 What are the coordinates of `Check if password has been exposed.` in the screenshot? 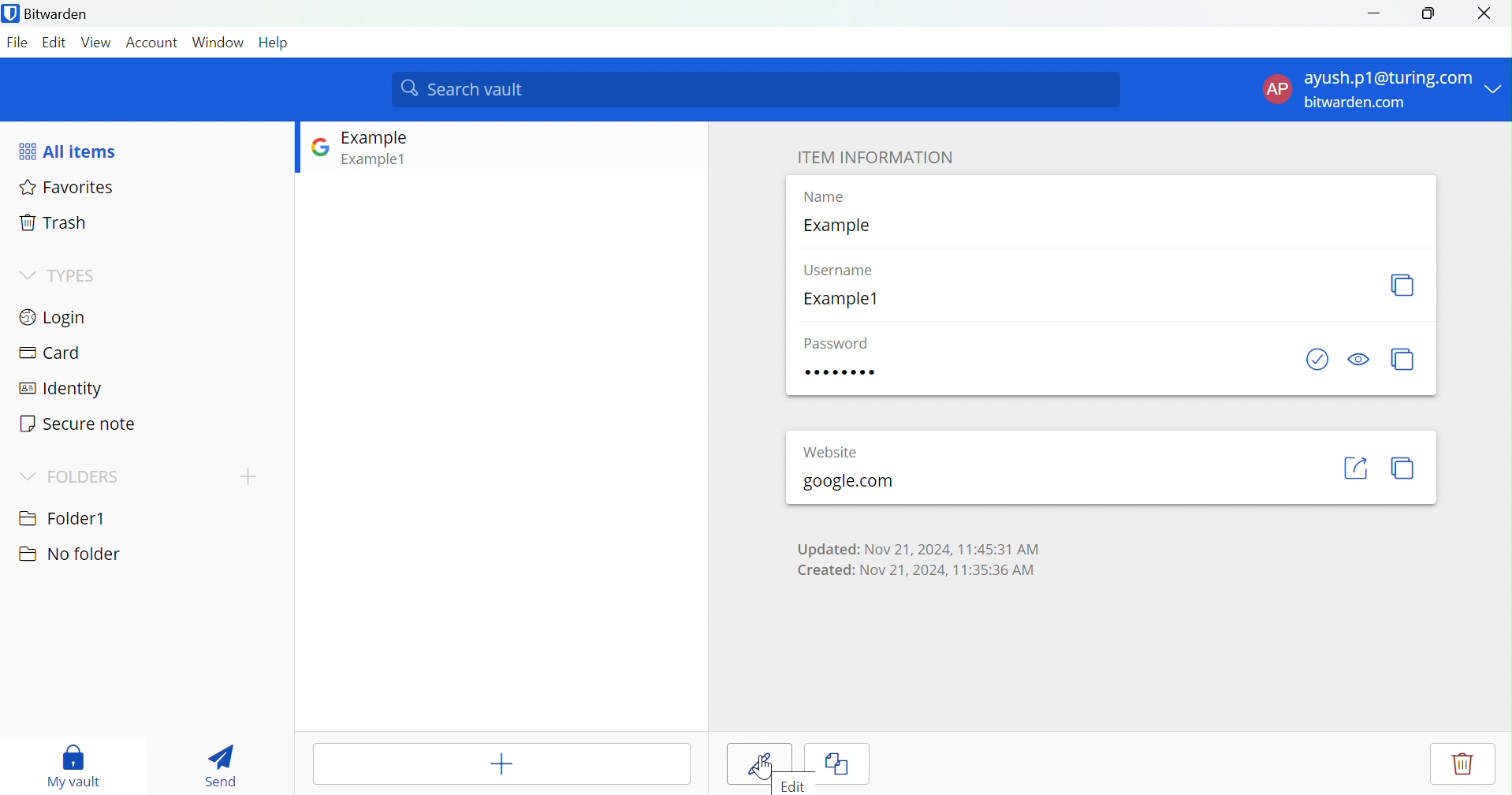 It's located at (1316, 360).